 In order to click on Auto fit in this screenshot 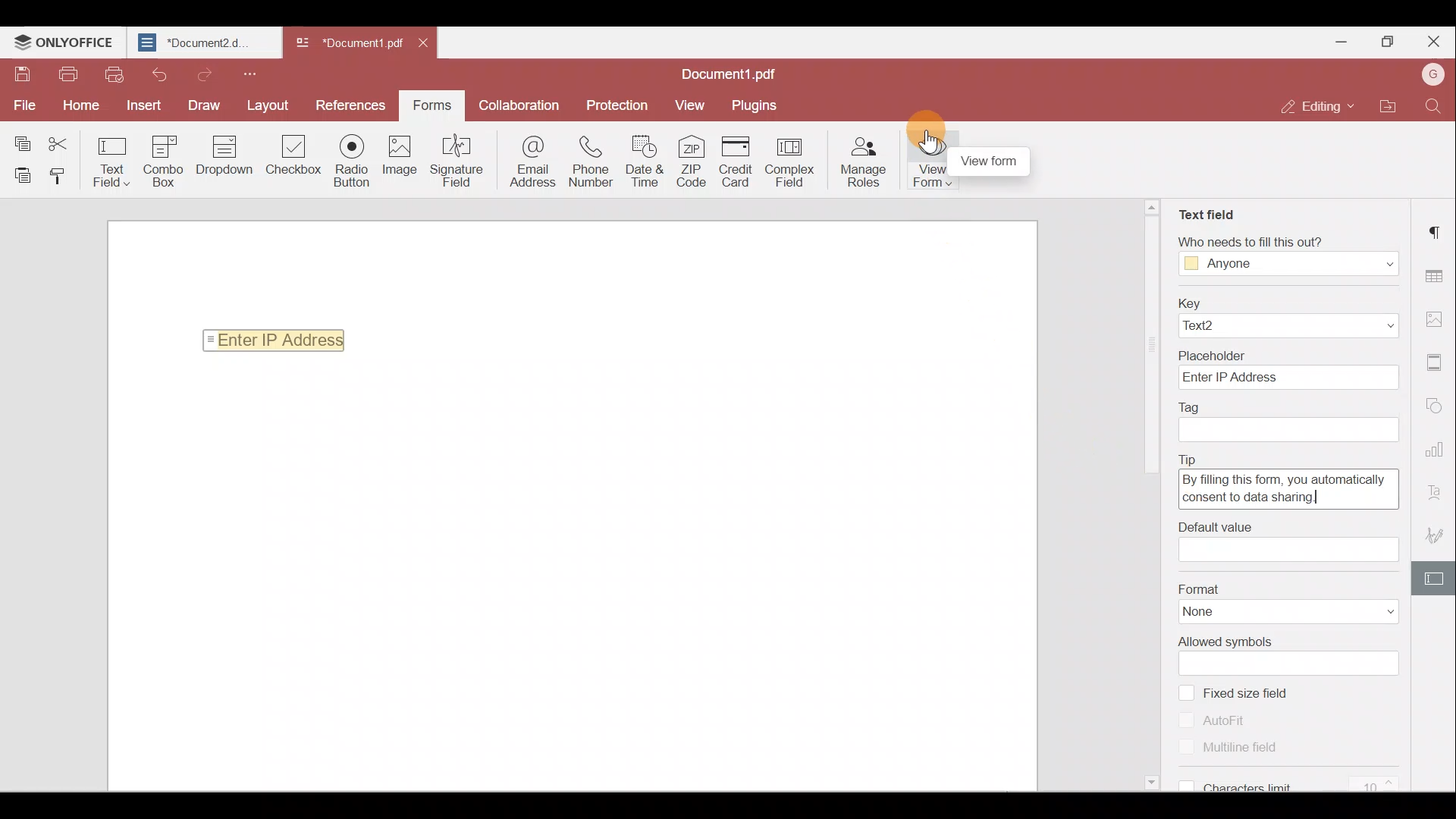, I will do `click(1234, 720)`.